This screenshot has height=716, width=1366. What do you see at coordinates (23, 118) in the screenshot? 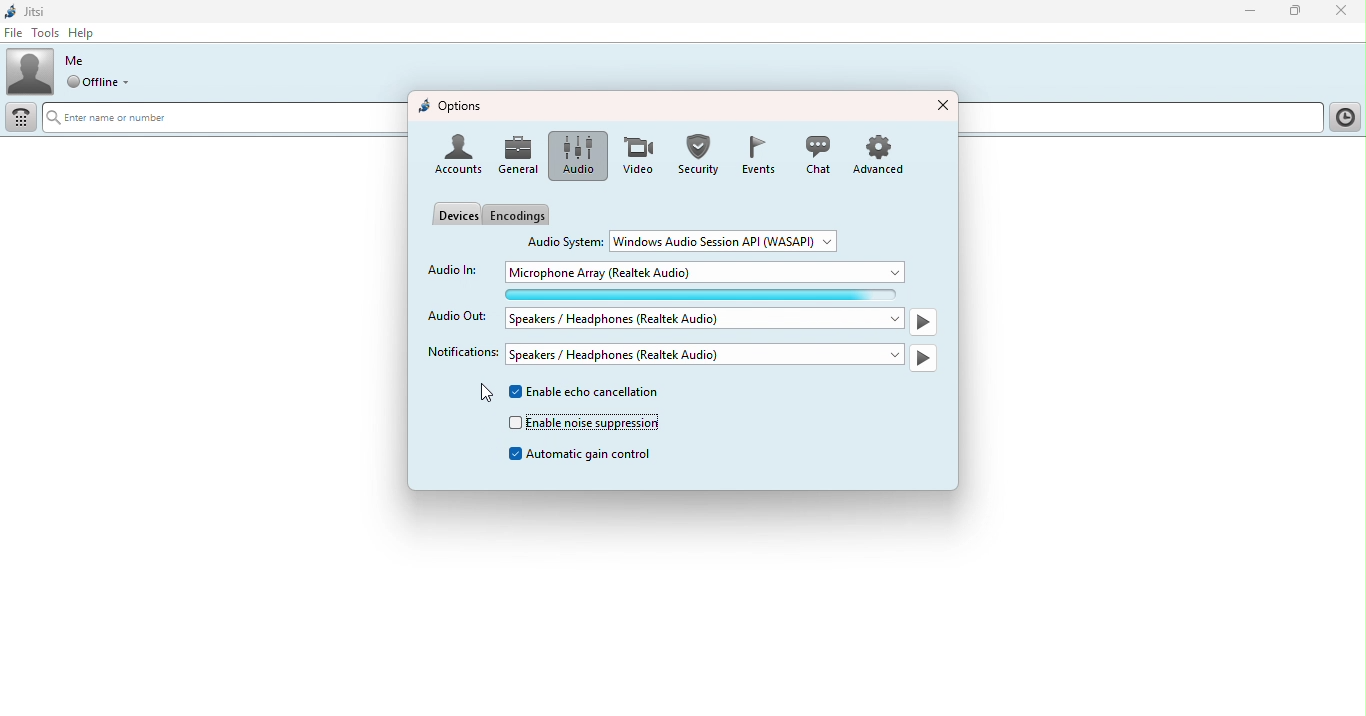
I see `Dial pad` at bounding box center [23, 118].